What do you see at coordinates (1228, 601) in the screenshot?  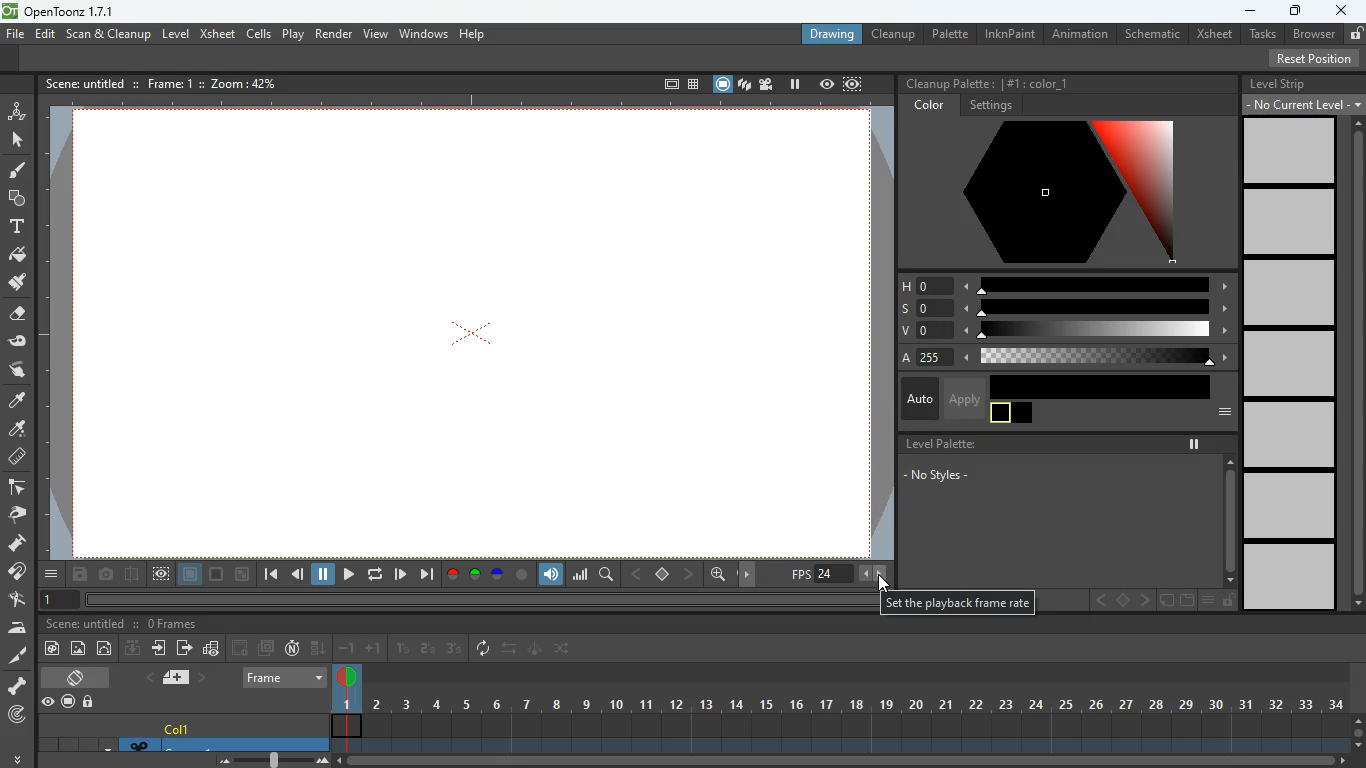 I see `unlock` at bounding box center [1228, 601].